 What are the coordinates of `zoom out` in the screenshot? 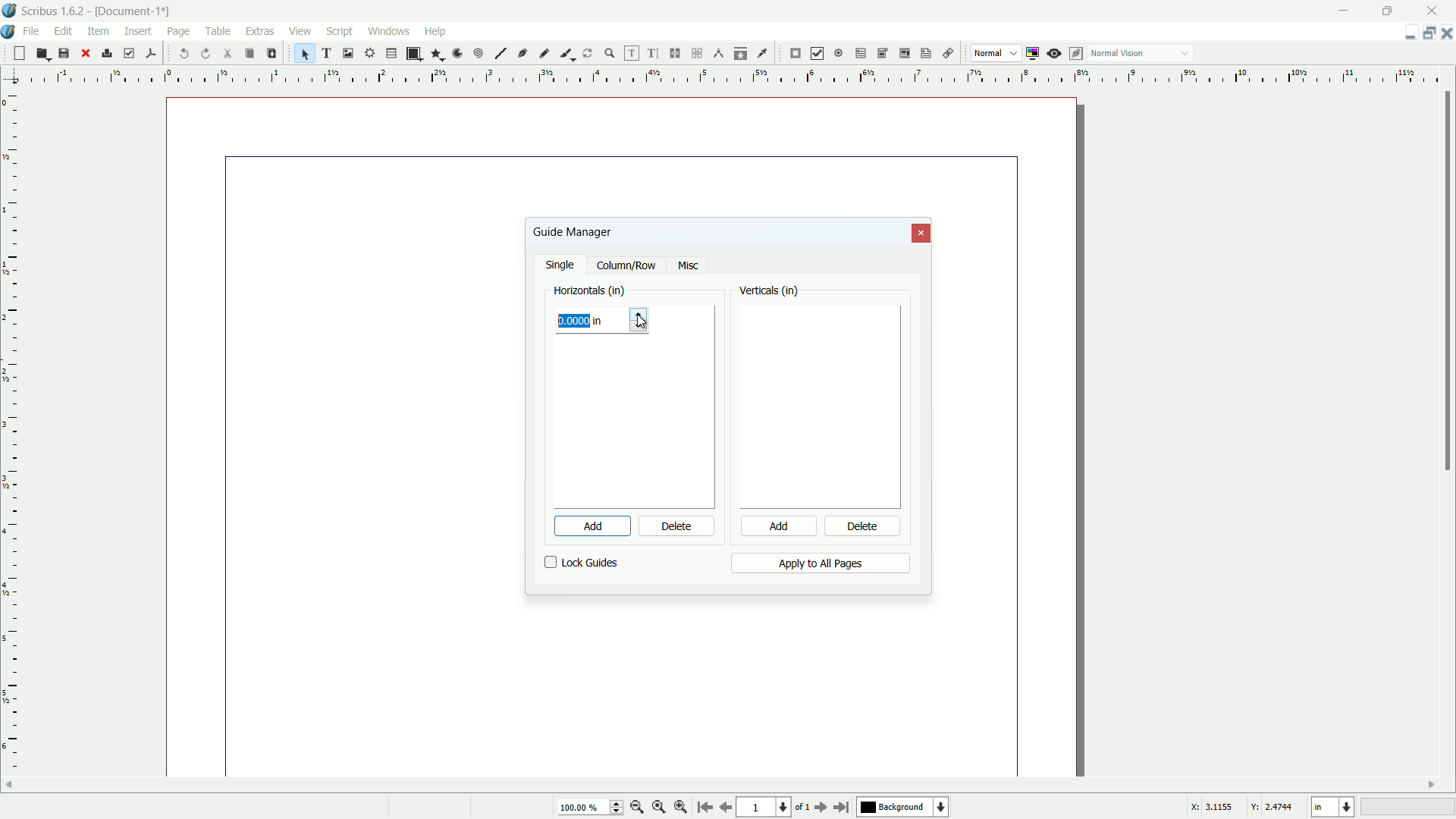 It's located at (638, 807).